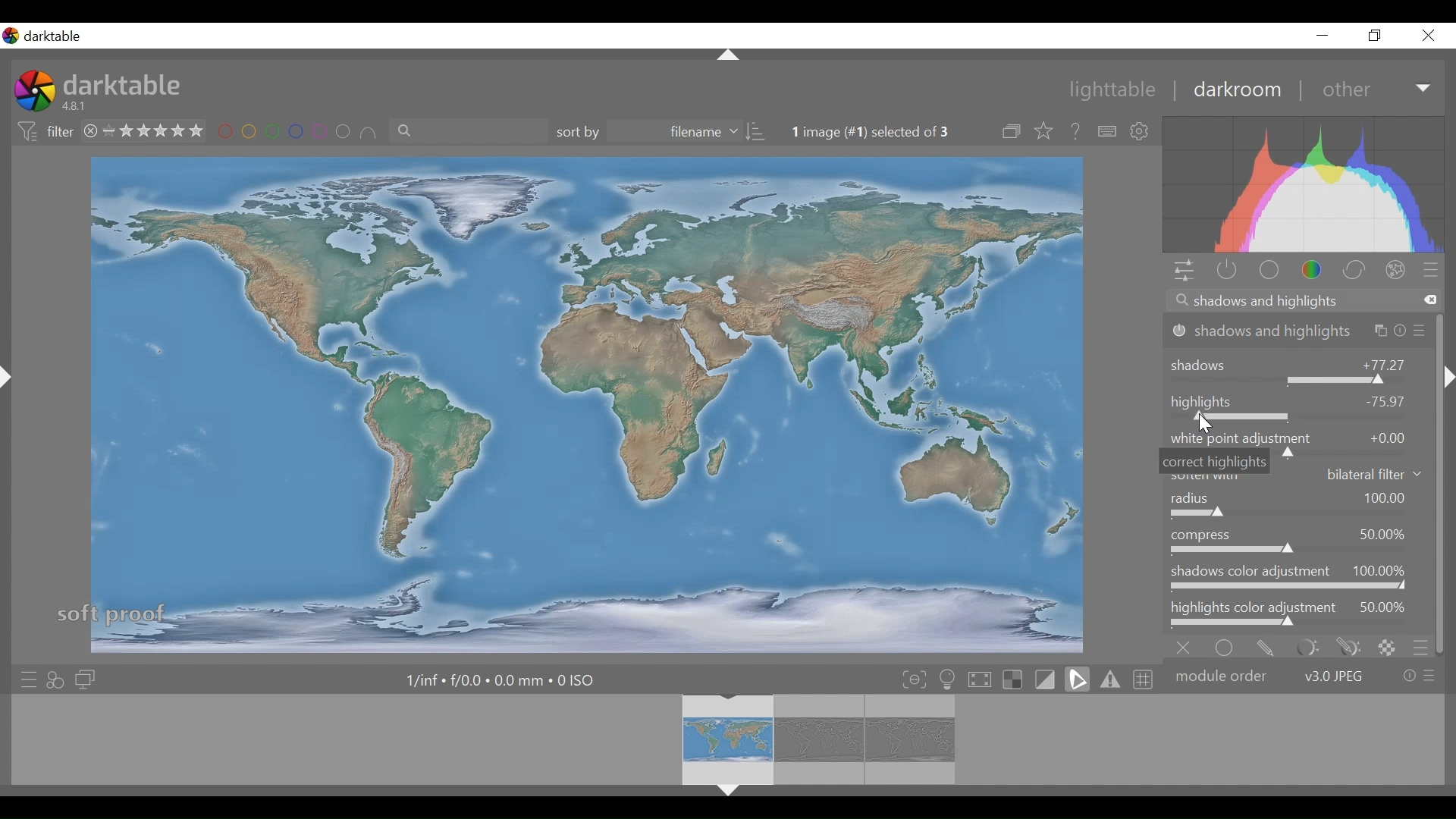 The image size is (1456, 819). Describe the element at coordinates (1238, 91) in the screenshot. I see `darkroom` at that location.